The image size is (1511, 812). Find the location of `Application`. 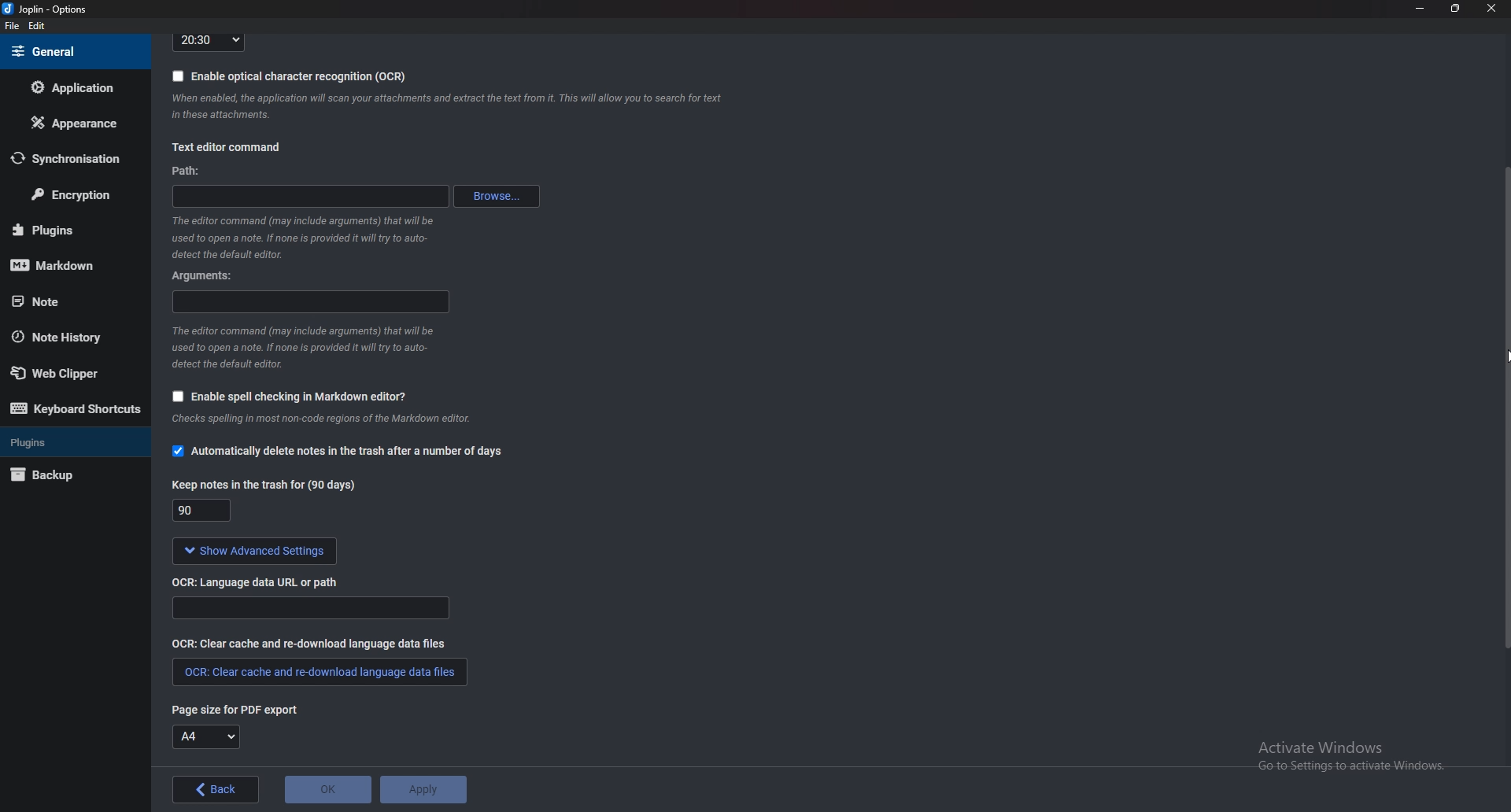

Application is located at coordinates (73, 87).